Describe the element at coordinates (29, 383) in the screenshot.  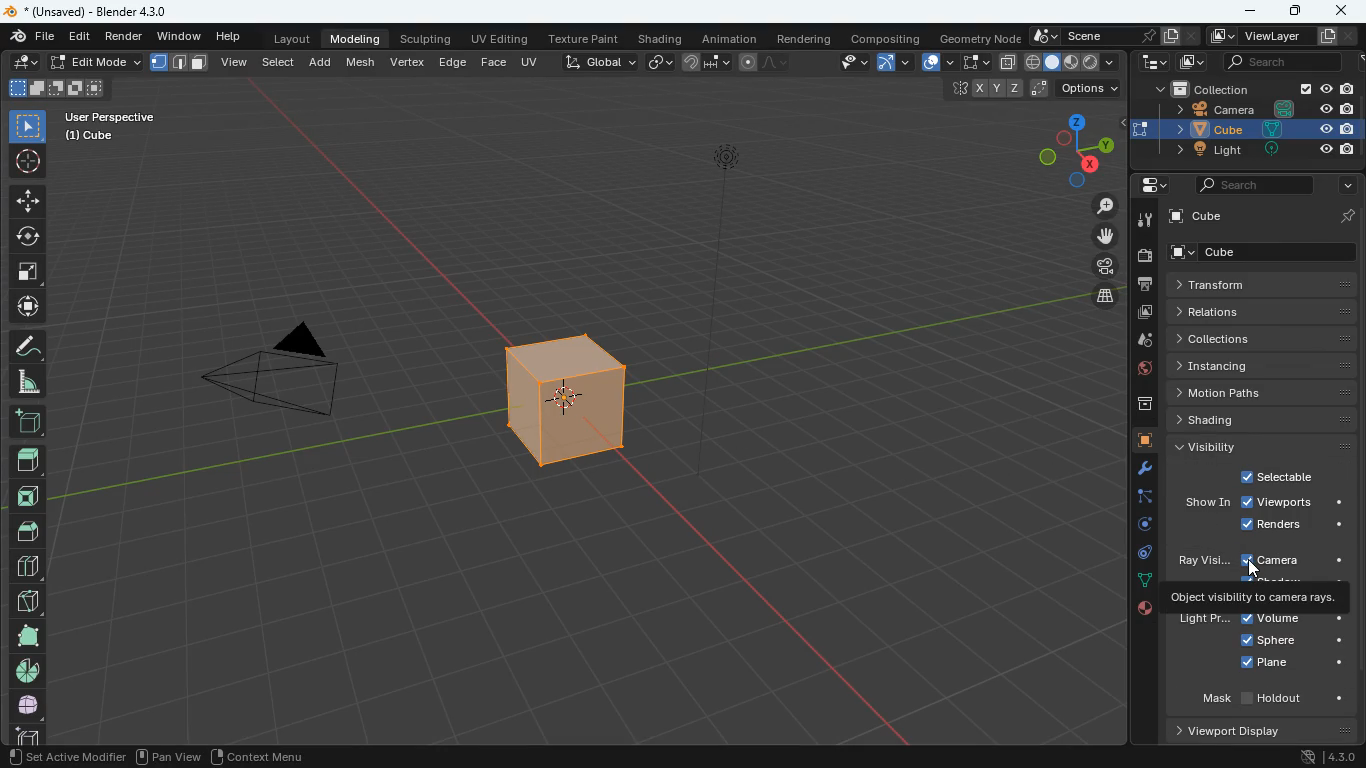
I see `angle` at that location.